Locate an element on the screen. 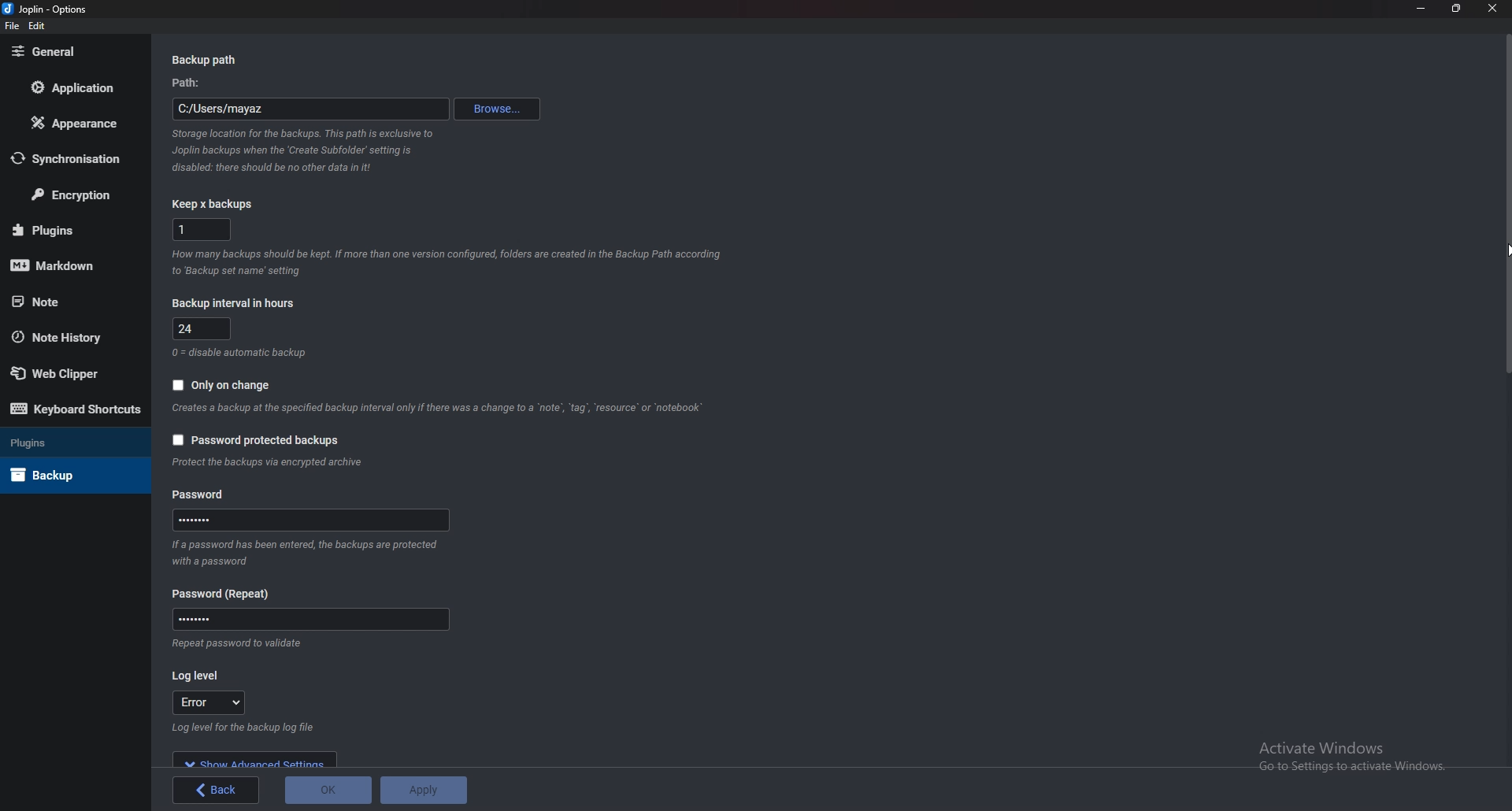  path is located at coordinates (310, 109).